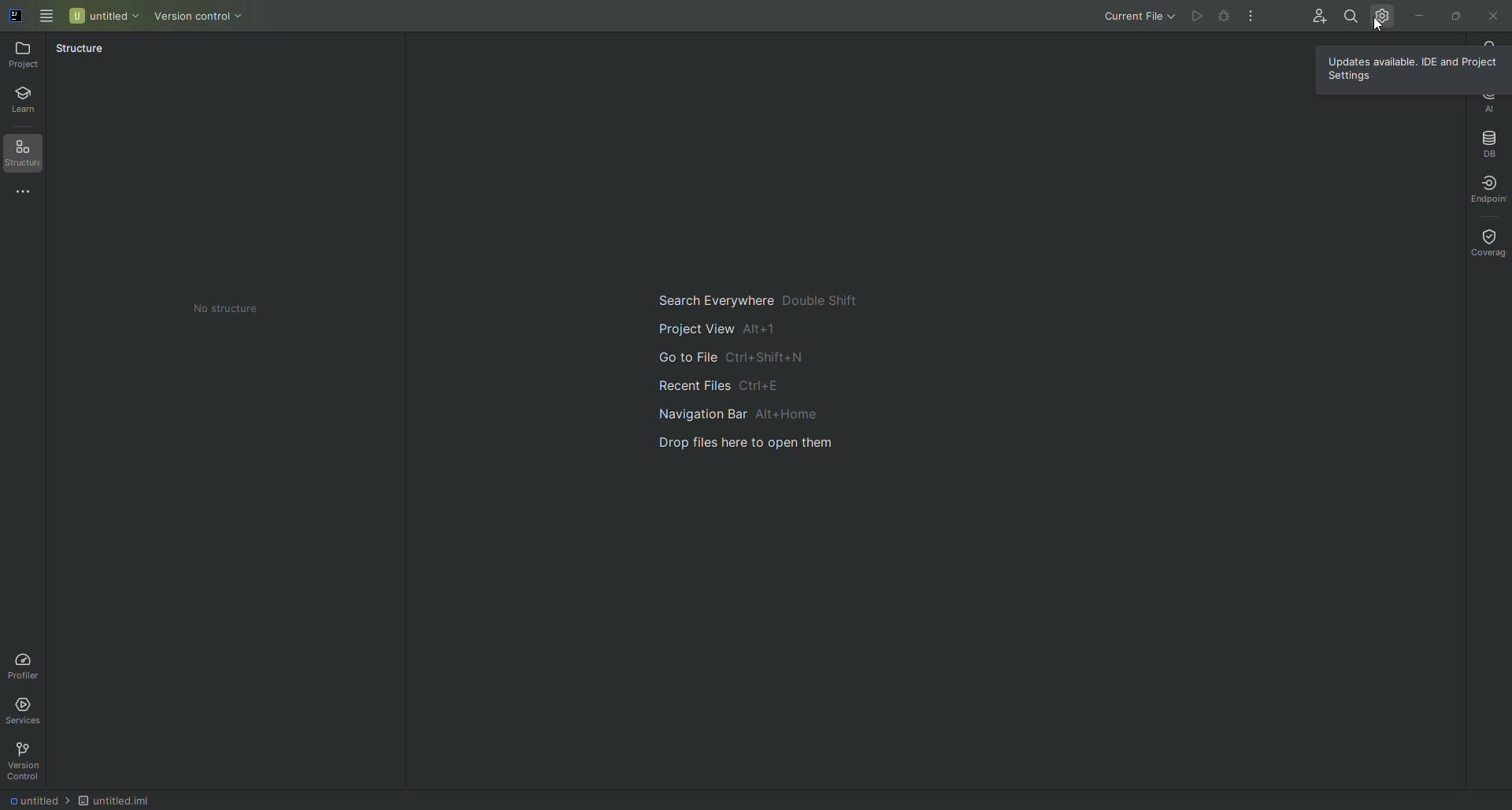 The height and width of the screenshot is (810, 1512). I want to click on Updates and Settings, so click(1383, 15).